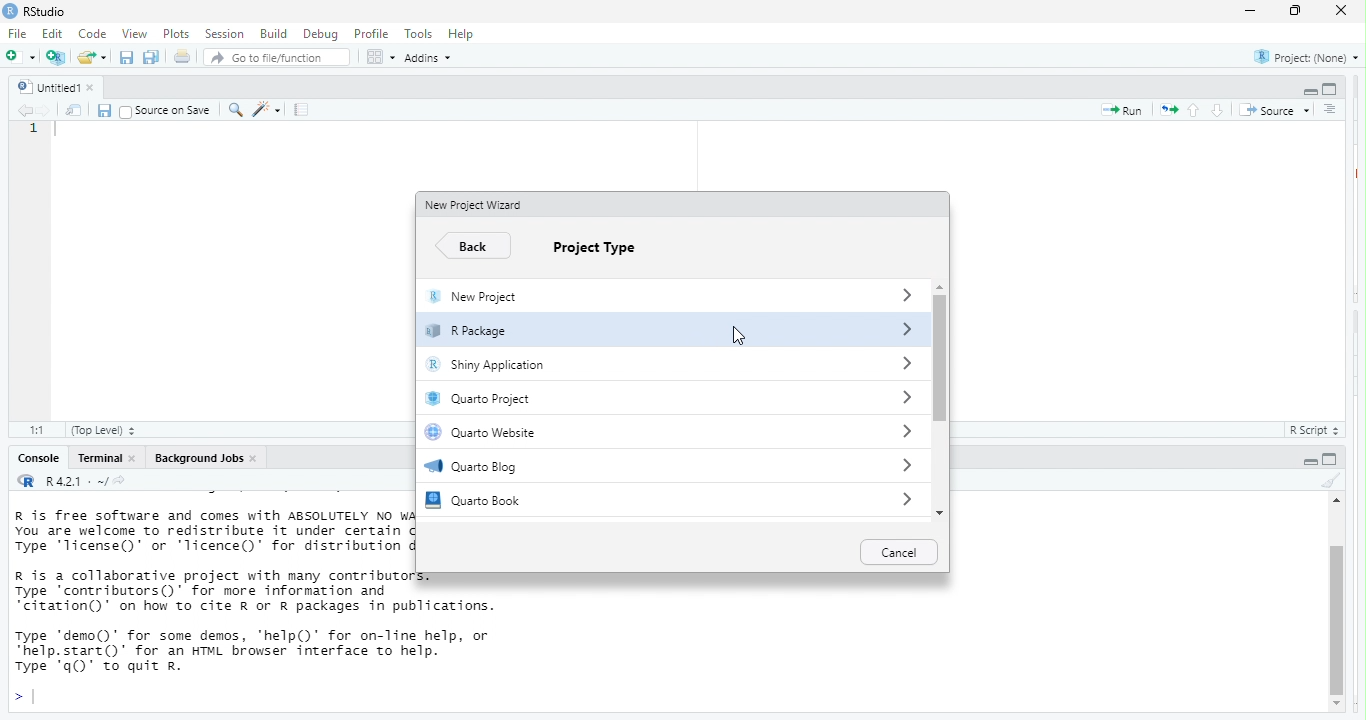 Image resolution: width=1366 pixels, height=720 pixels. What do you see at coordinates (166, 111) in the screenshot?
I see ` Source on Save` at bounding box center [166, 111].